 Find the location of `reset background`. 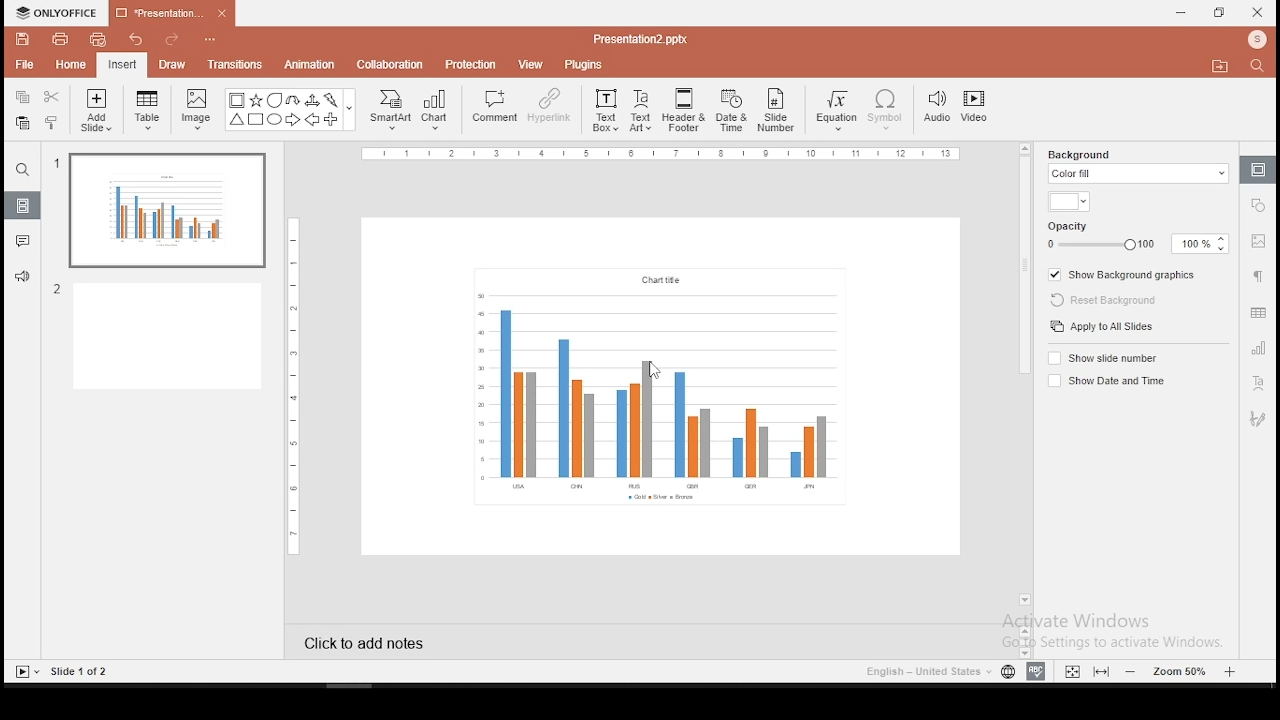

reset background is located at coordinates (1104, 301).